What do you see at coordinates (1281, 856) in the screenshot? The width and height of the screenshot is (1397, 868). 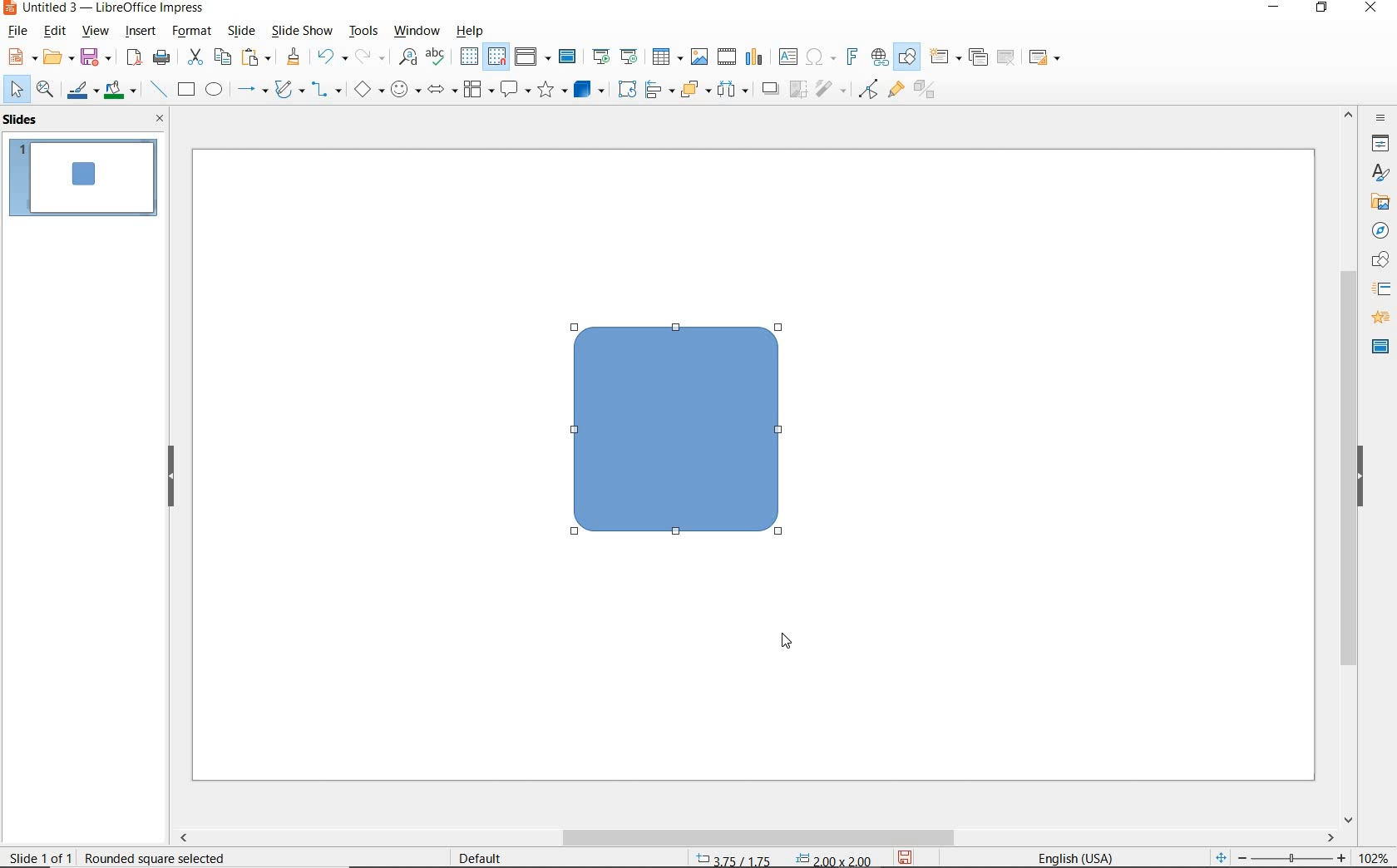 I see `zoom out or zoom in` at bounding box center [1281, 856].